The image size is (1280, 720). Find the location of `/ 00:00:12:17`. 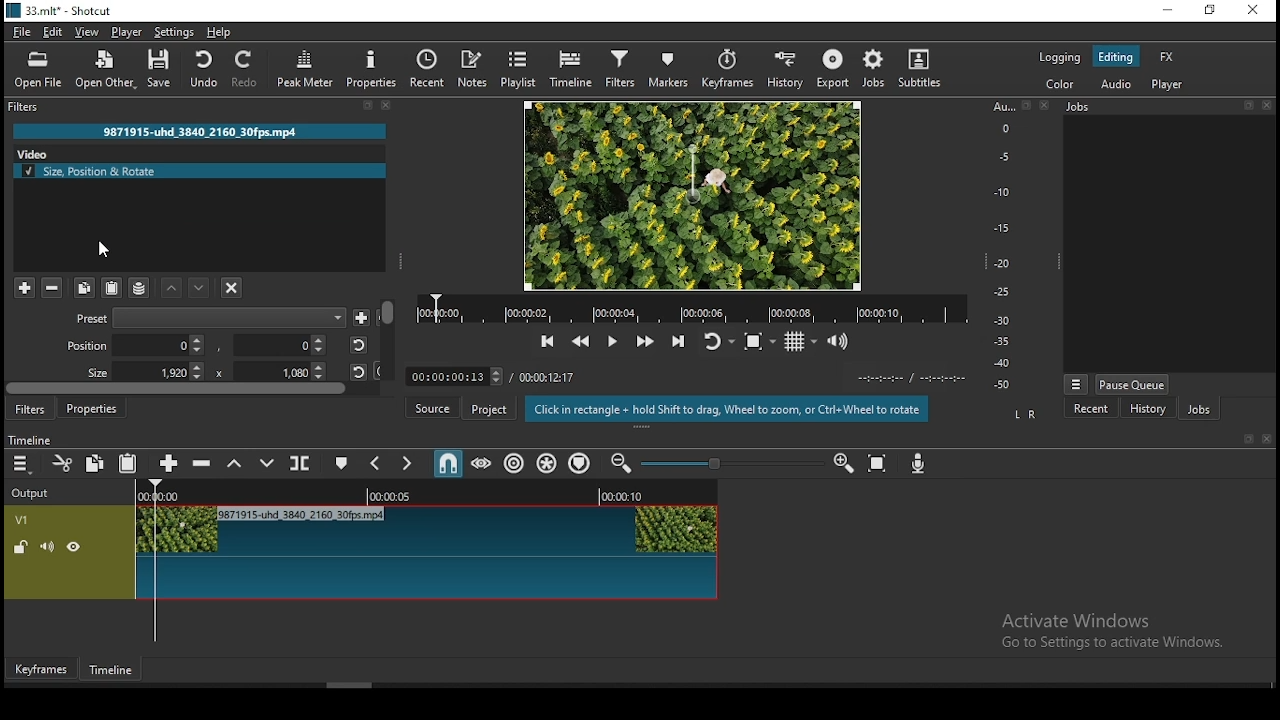

/ 00:00:12:17 is located at coordinates (543, 377).